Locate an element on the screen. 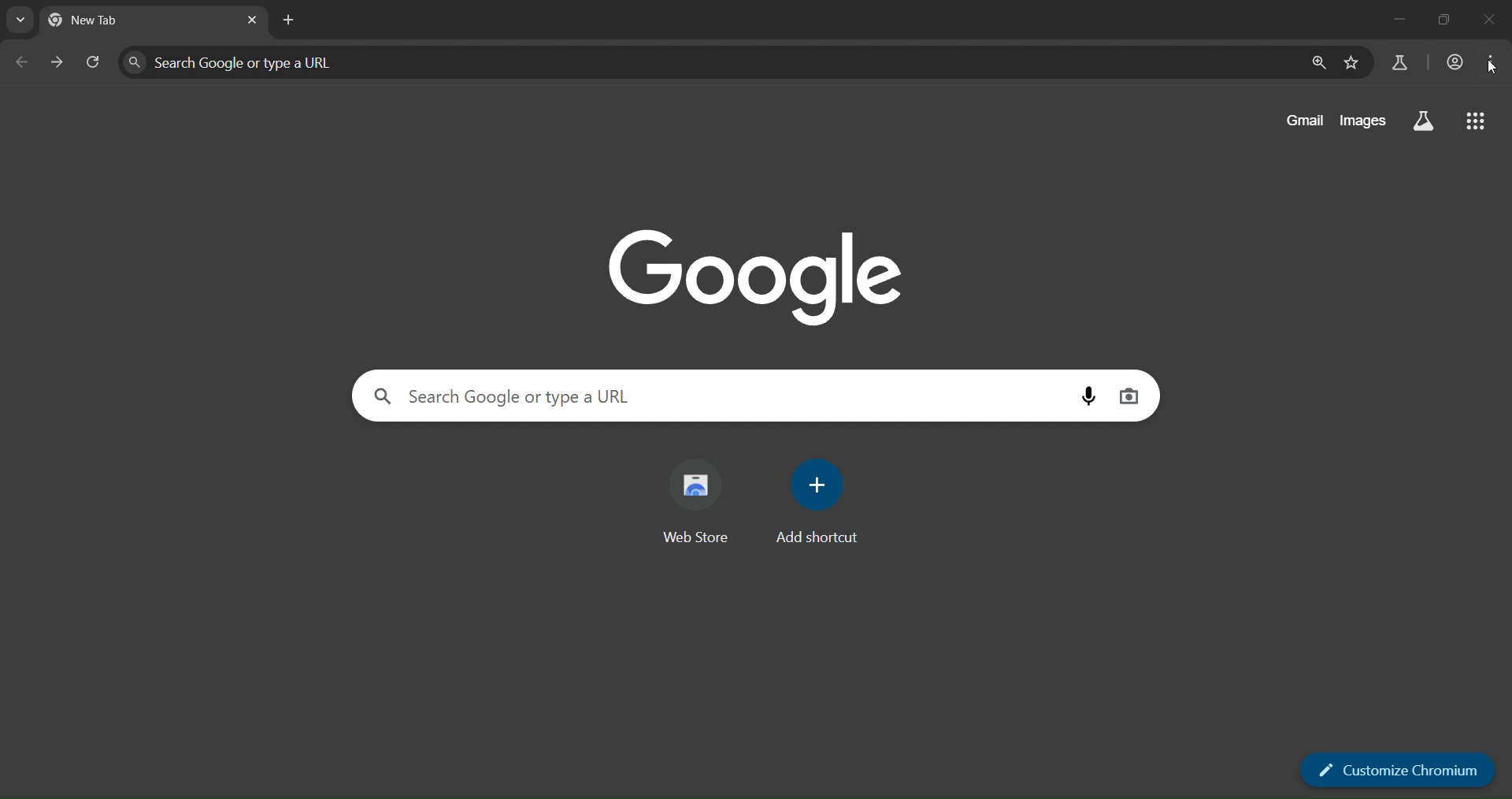 This screenshot has height=799, width=1512. search labs is located at coordinates (1423, 119).